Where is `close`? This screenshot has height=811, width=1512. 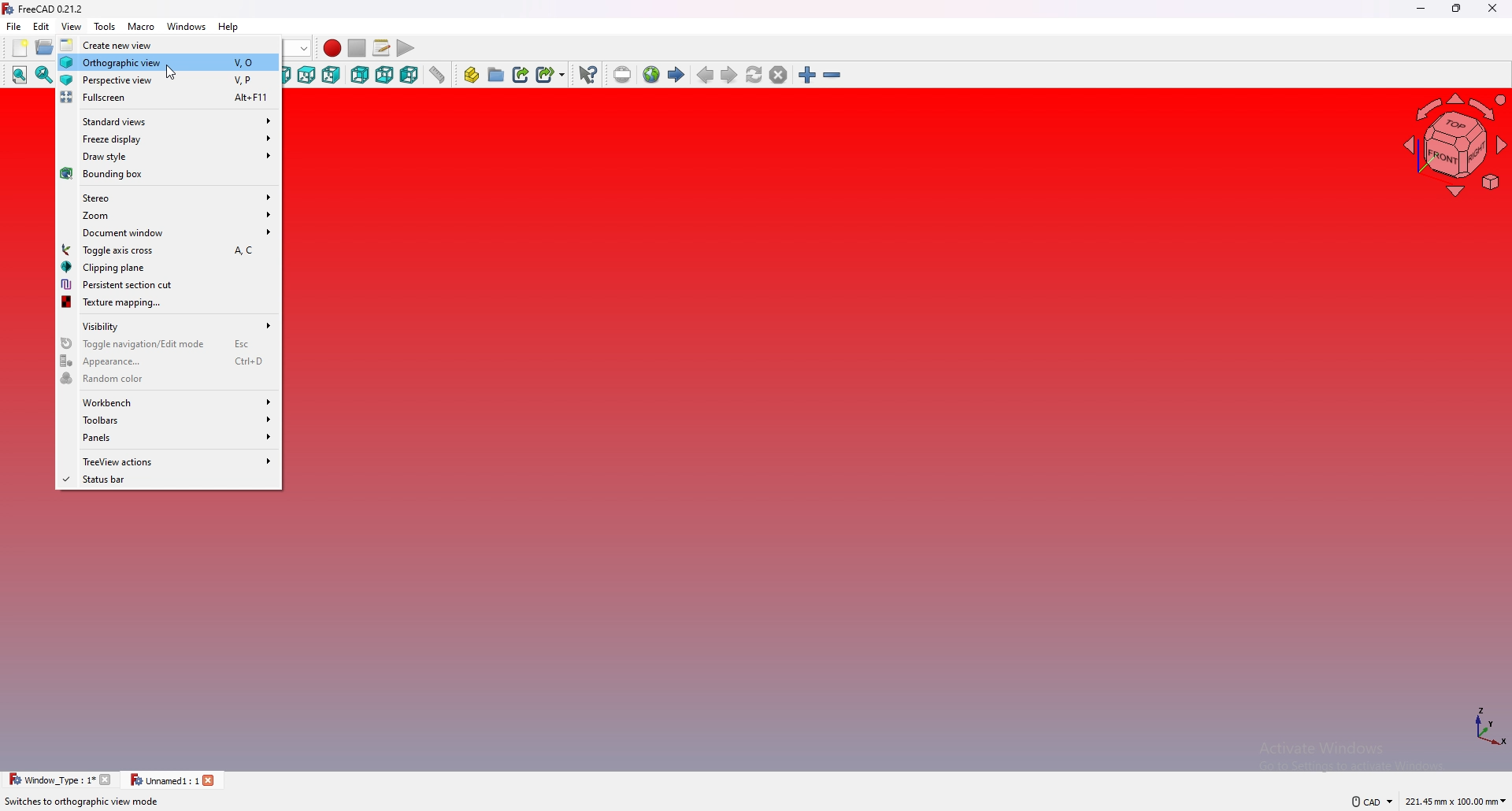 close is located at coordinates (211, 780).